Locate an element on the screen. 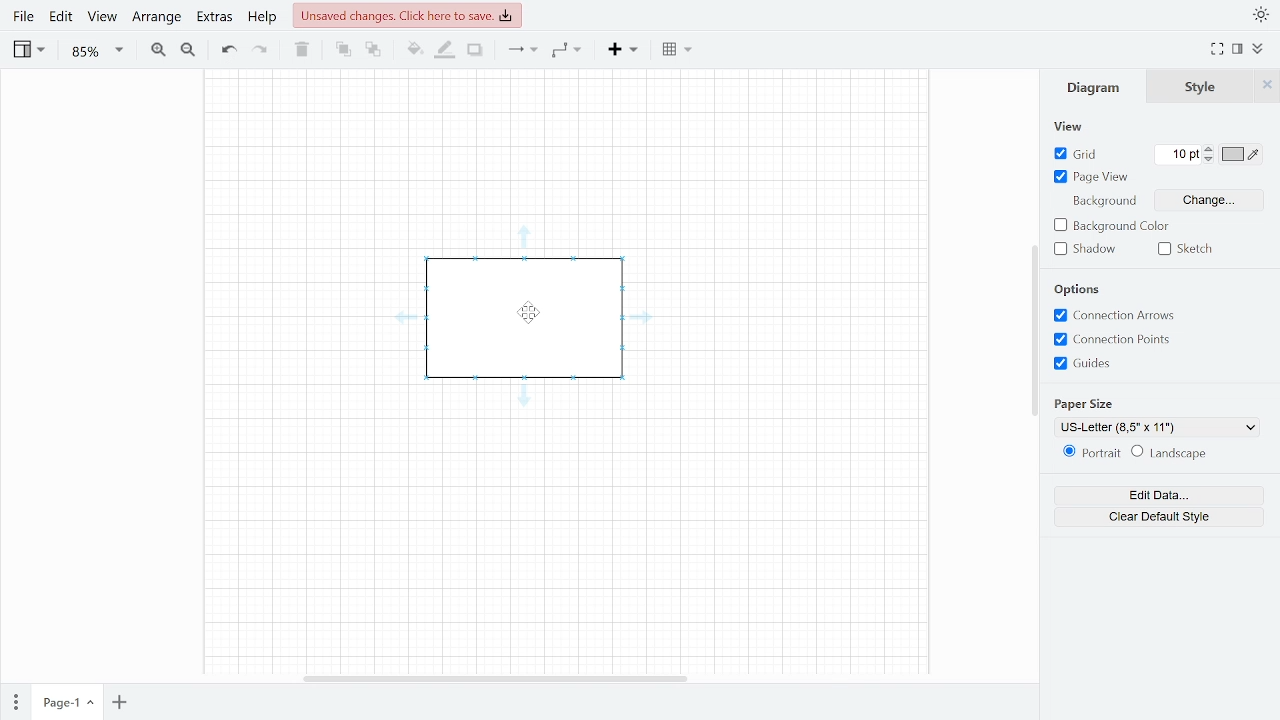 The height and width of the screenshot is (720, 1280). Pages is located at coordinates (14, 702).